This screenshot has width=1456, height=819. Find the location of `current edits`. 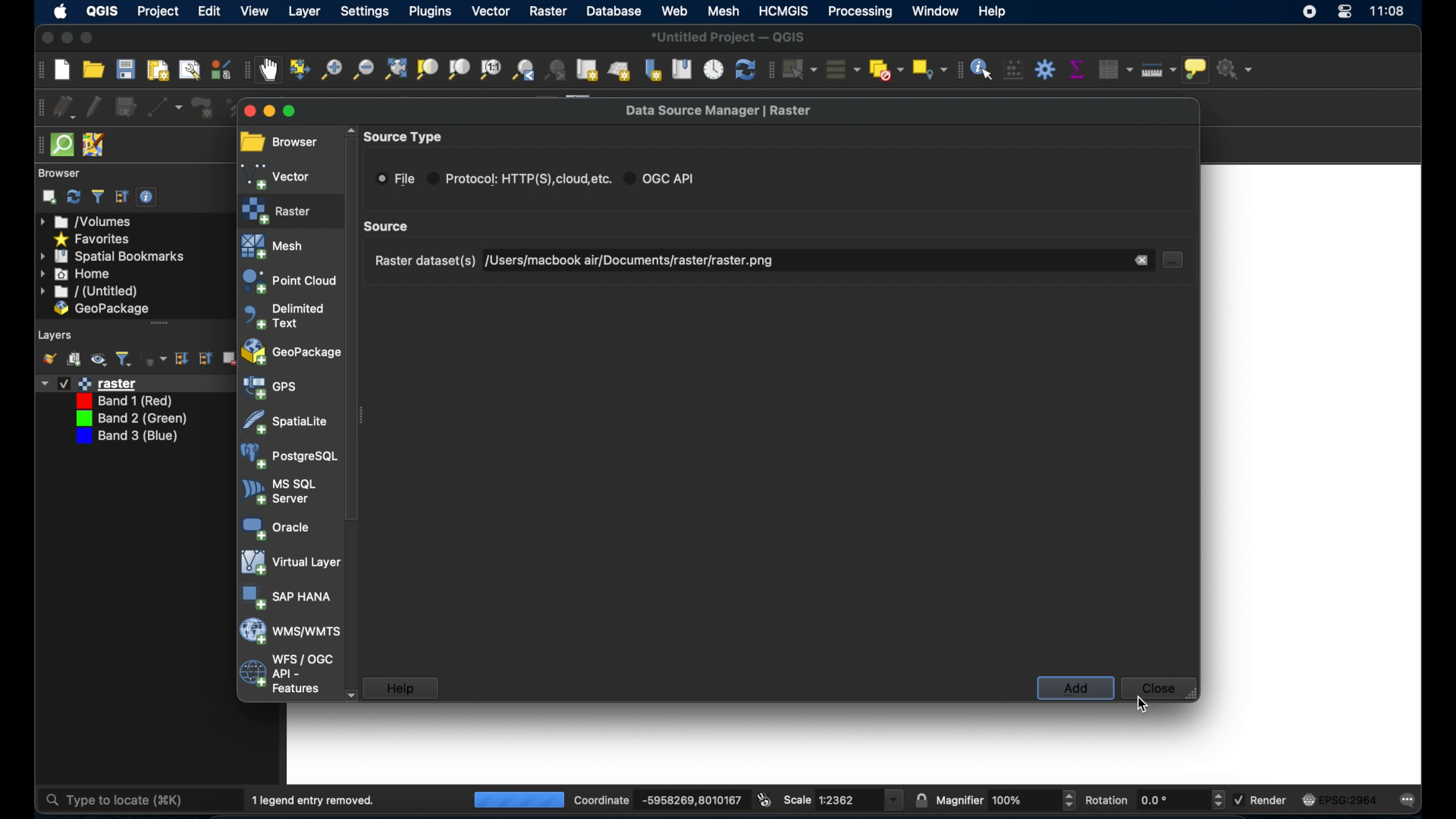

current edits is located at coordinates (64, 107).